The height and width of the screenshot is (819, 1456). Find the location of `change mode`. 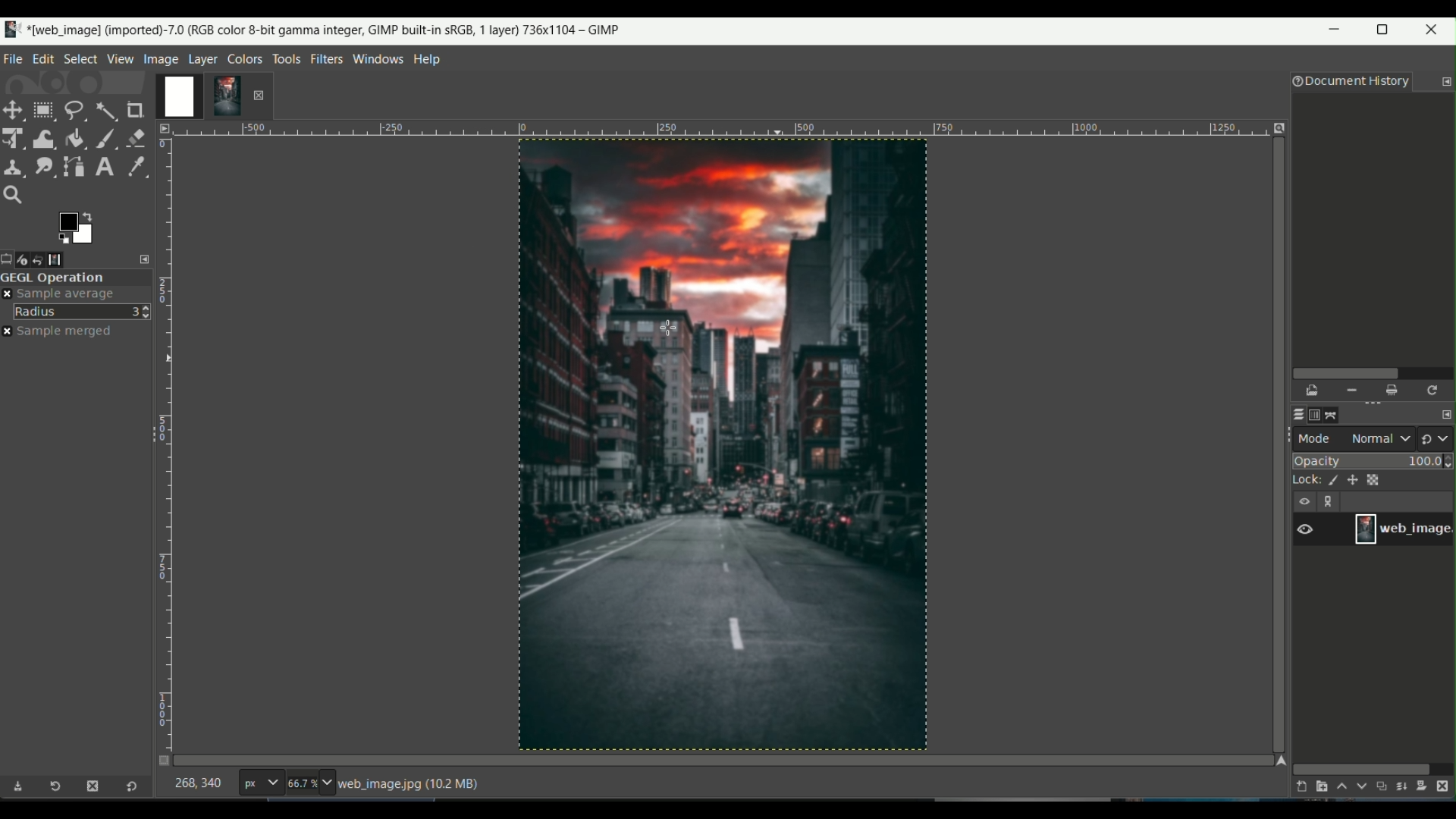

change mode is located at coordinates (1437, 438).